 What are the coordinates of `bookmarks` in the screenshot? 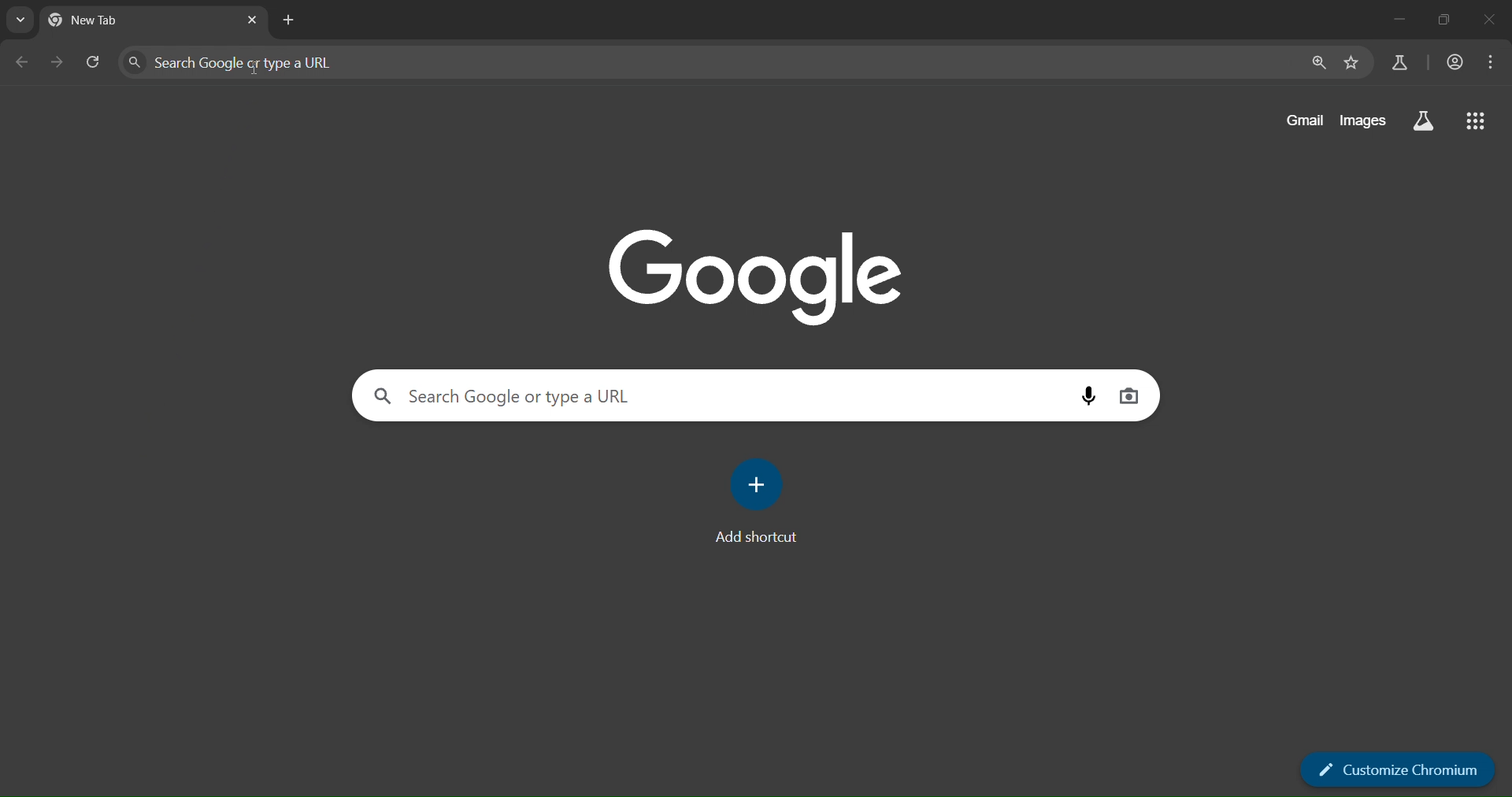 It's located at (1351, 61).